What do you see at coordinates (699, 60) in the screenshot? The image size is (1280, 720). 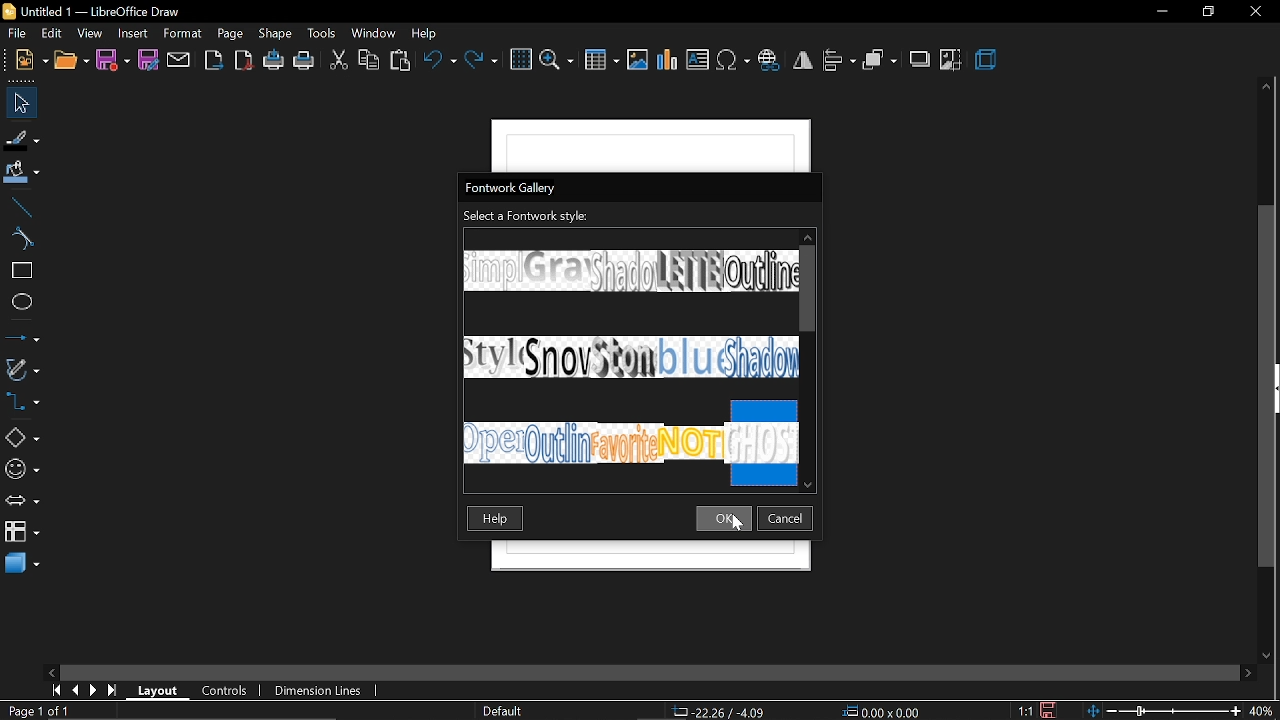 I see `insert text` at bounding box center [699, 60].